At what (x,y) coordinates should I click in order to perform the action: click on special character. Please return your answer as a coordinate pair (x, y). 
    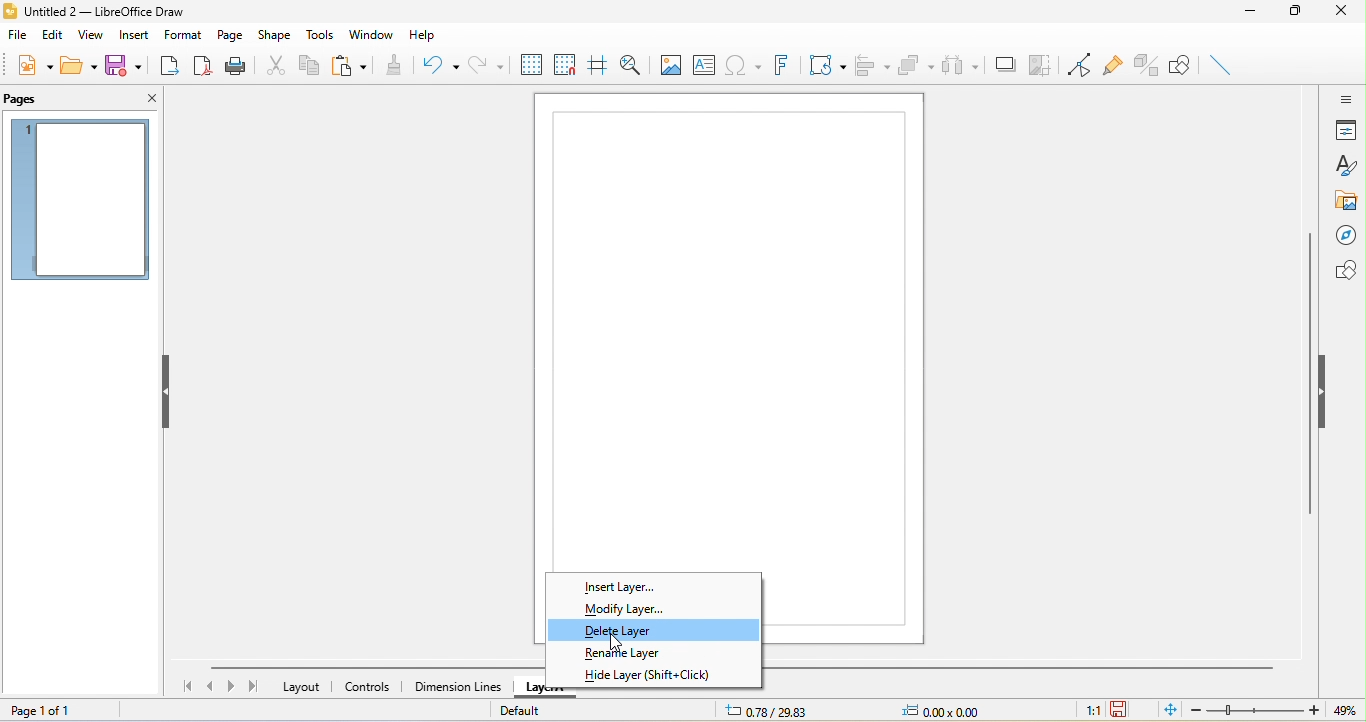
    Looking at the image, I should click on (740, 65).